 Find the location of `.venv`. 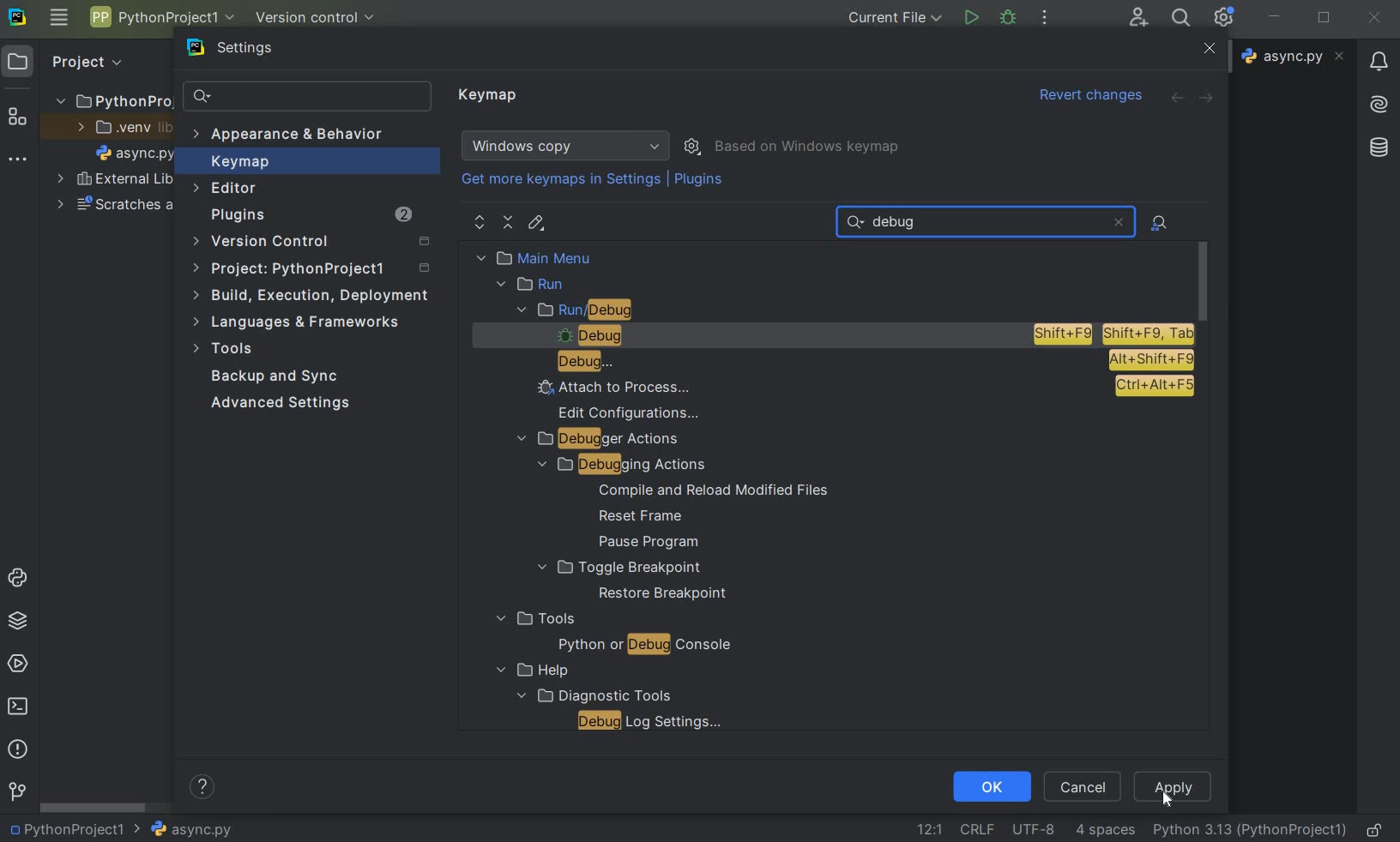

.venv is located at coordinates (124, 129).